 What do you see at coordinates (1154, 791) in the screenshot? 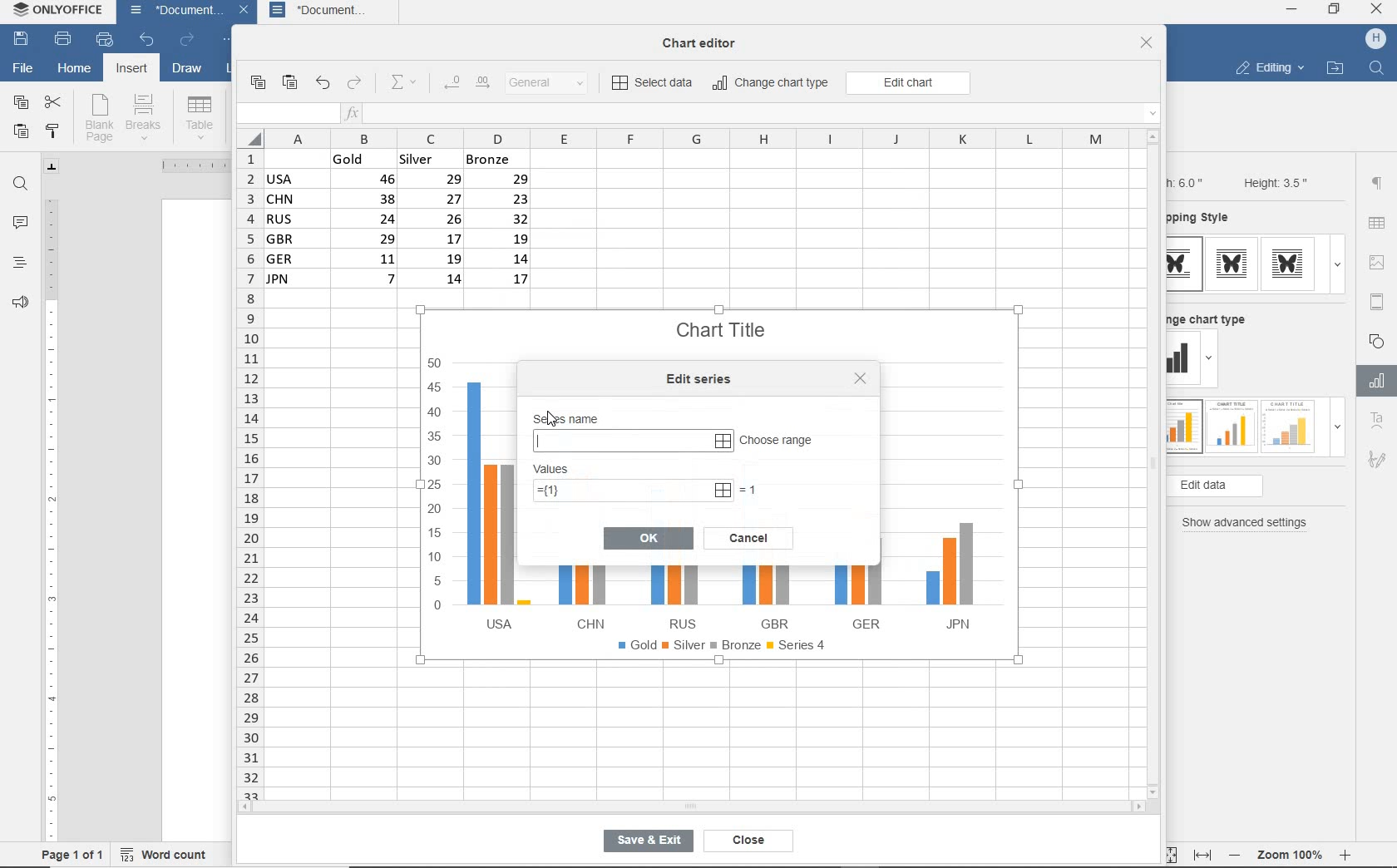
I see `scroll down` at bounding box center [1154, 791].